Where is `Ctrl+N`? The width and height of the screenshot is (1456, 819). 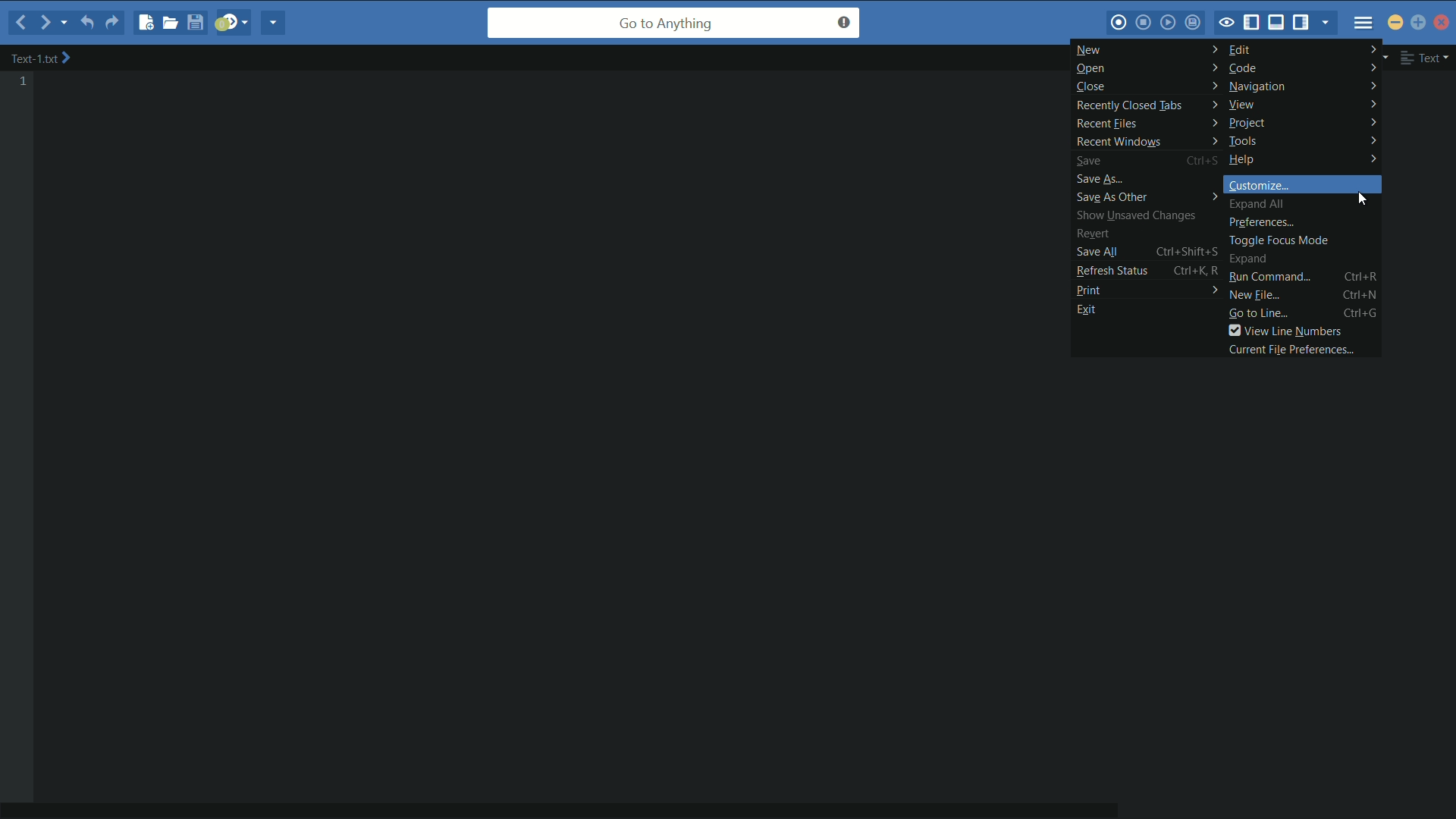
Ctrl+N is located at coordinates (1360, 295).